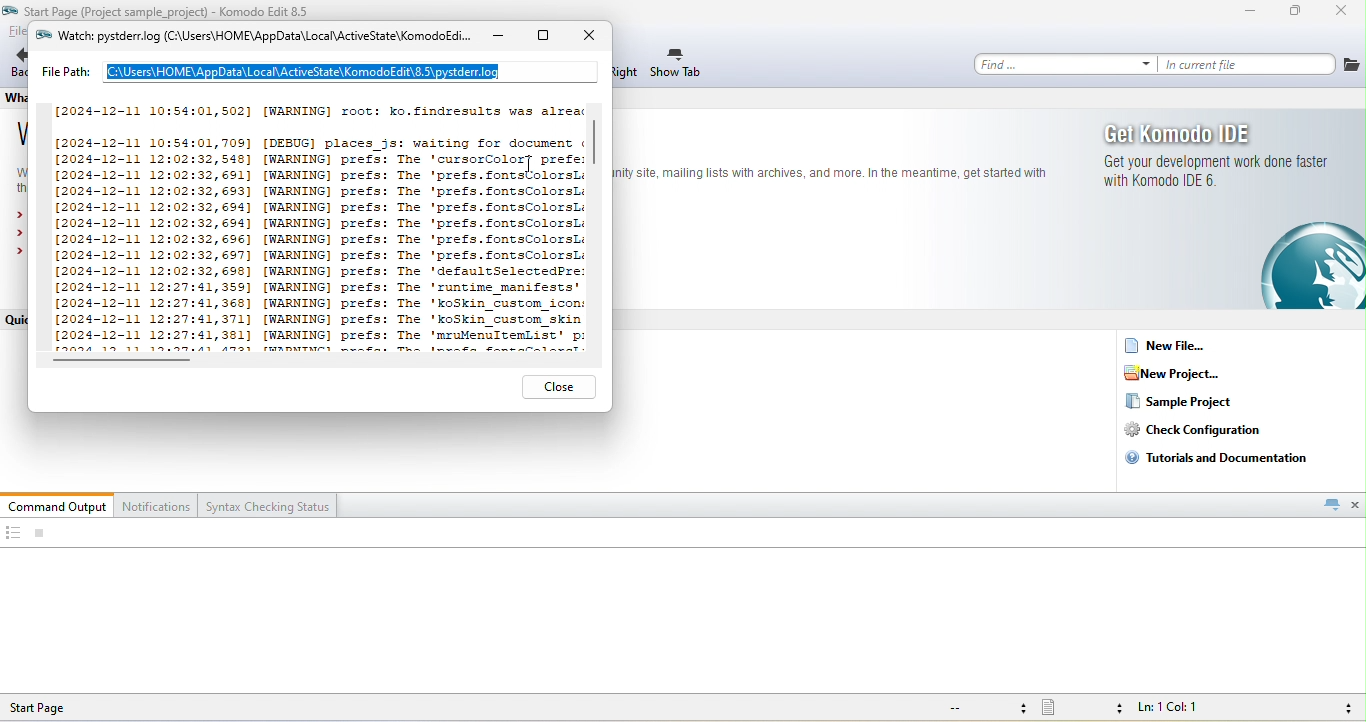 Image resolution: width=1366 pixels, height=722 pixels. Describe the element at coordinates (308, 220) in the screenshot. I see `log history` at that location.